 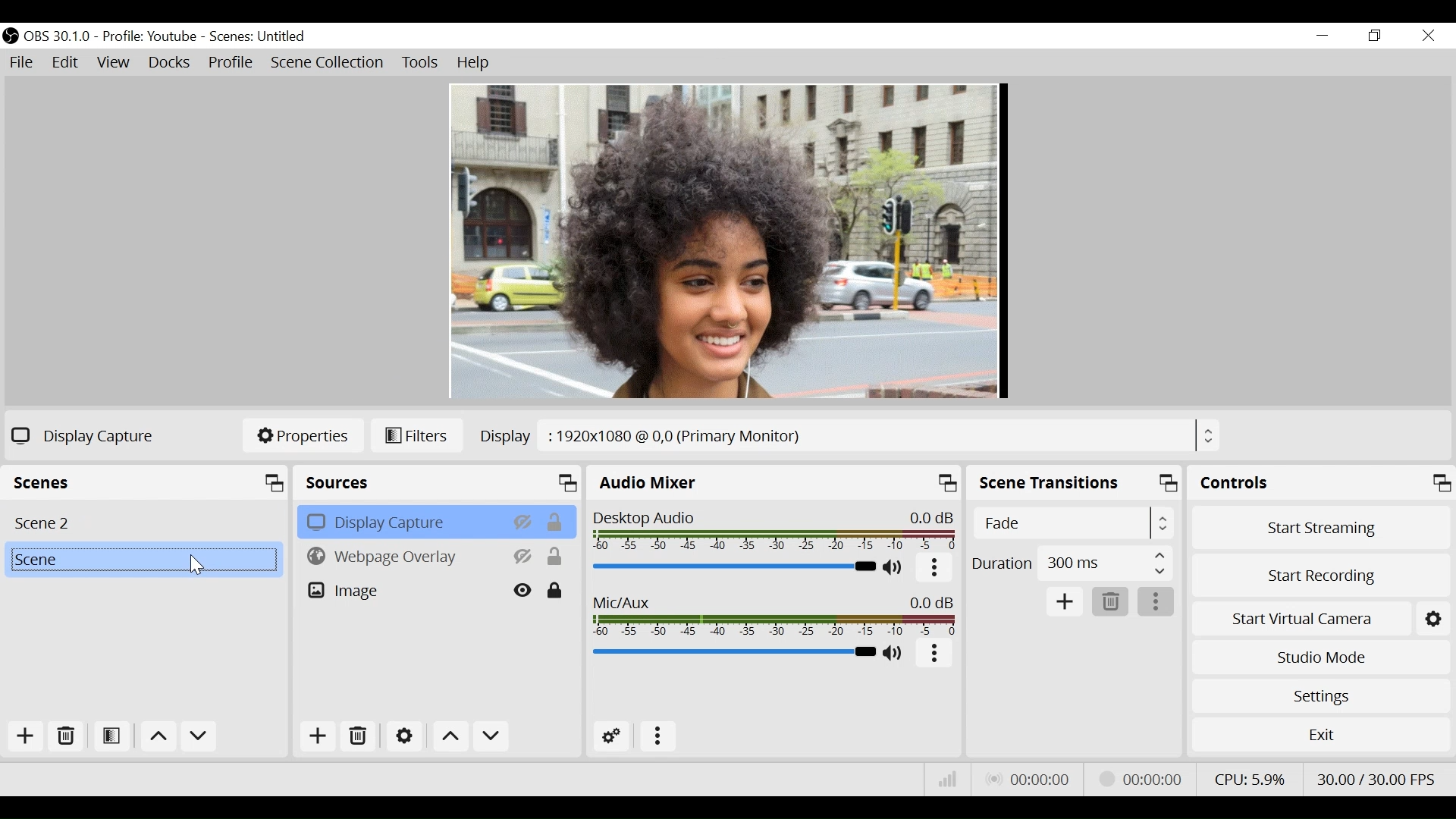 What do you see at coordinates (522, 521) in the screenshot?
I see `Hide/Display` at bounding box center [522, 521].